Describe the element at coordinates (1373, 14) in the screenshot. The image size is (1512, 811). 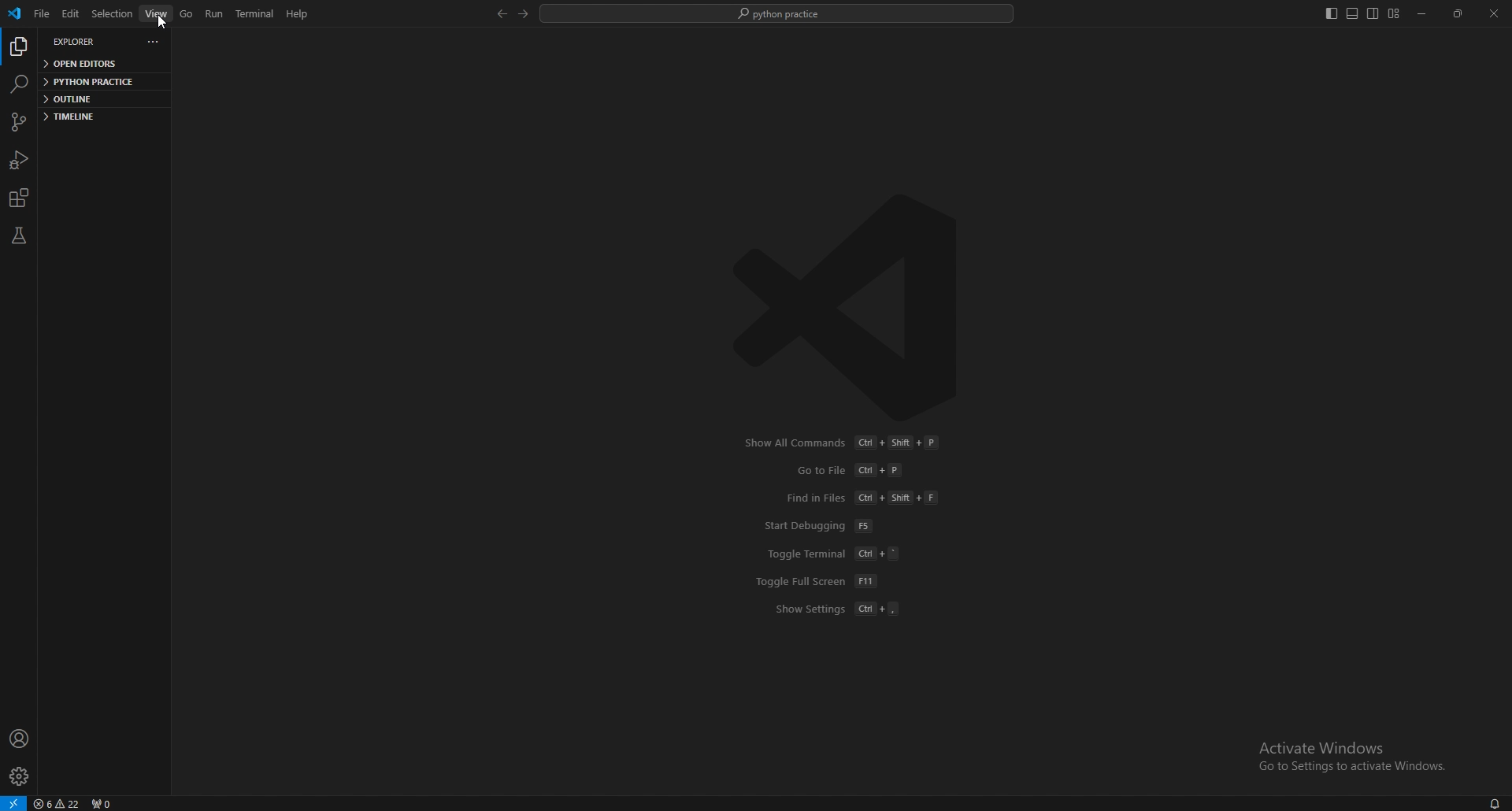
I see `toggle secondary sidebar` at that location.